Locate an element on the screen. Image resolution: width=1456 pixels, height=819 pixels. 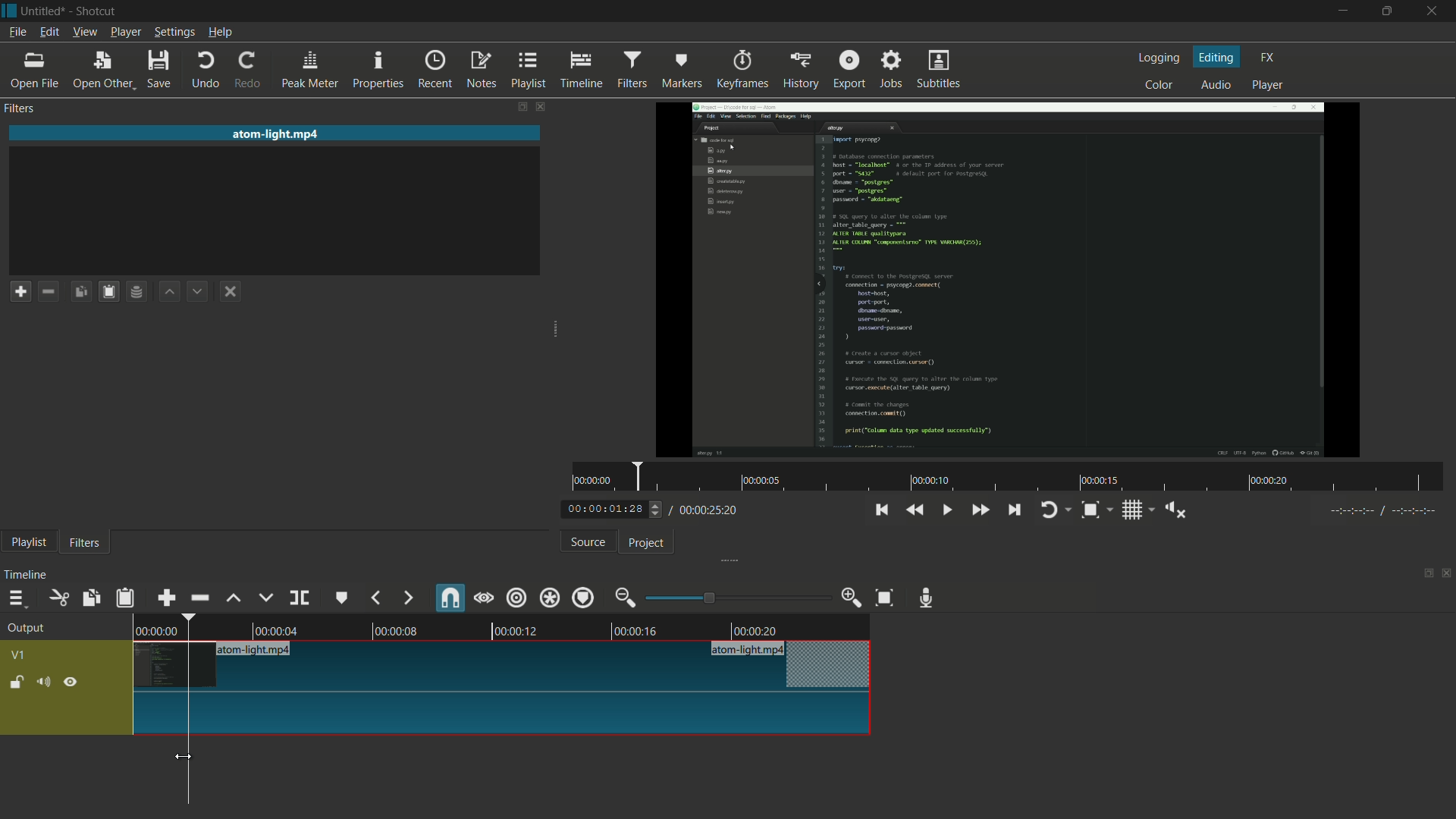
toggle play or pause is located at coordinates (945, 508).